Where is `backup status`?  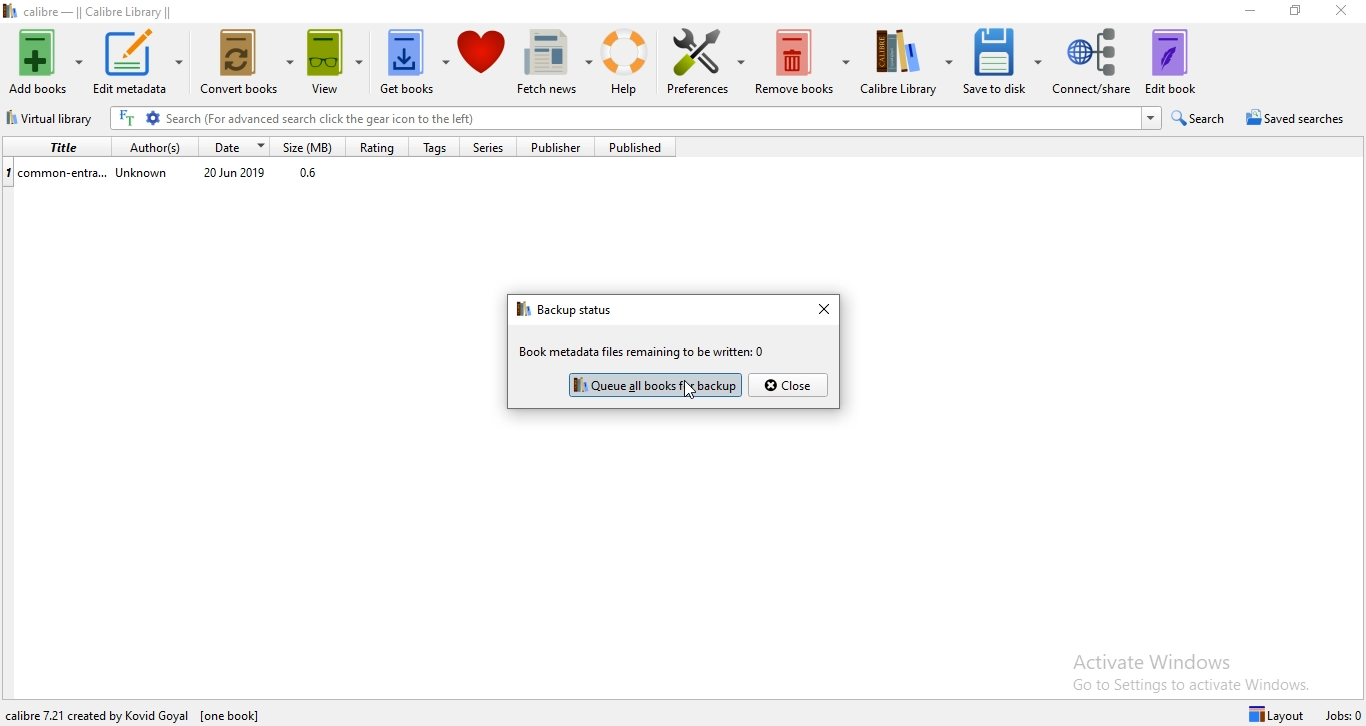 backup status is located at coordinates (567, 310).